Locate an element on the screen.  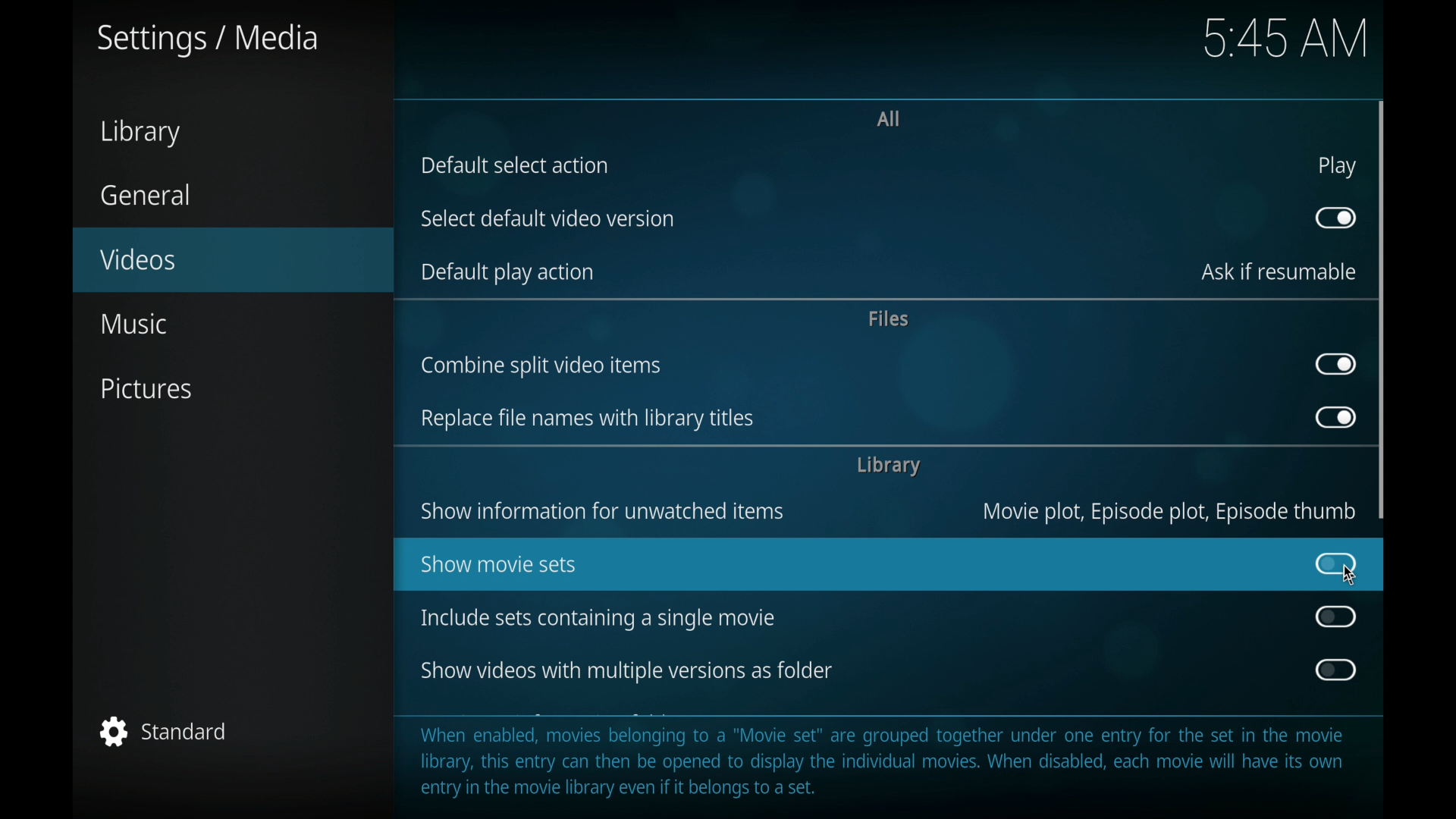
settings is located at coordinates (205, 40).